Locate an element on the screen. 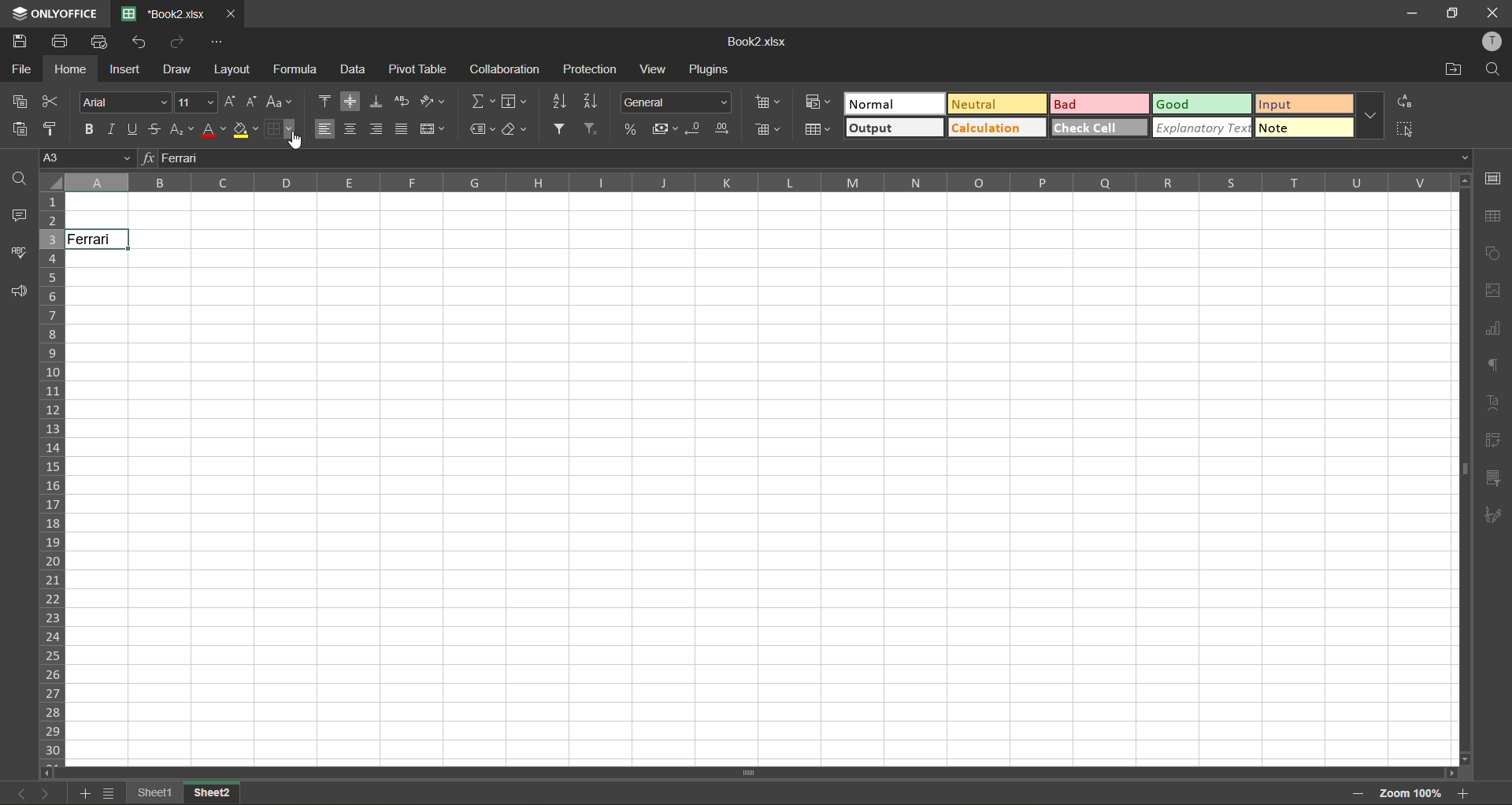 The height and width of the screenshot is (805, 1512). clear is located at coordinates (516, 128).